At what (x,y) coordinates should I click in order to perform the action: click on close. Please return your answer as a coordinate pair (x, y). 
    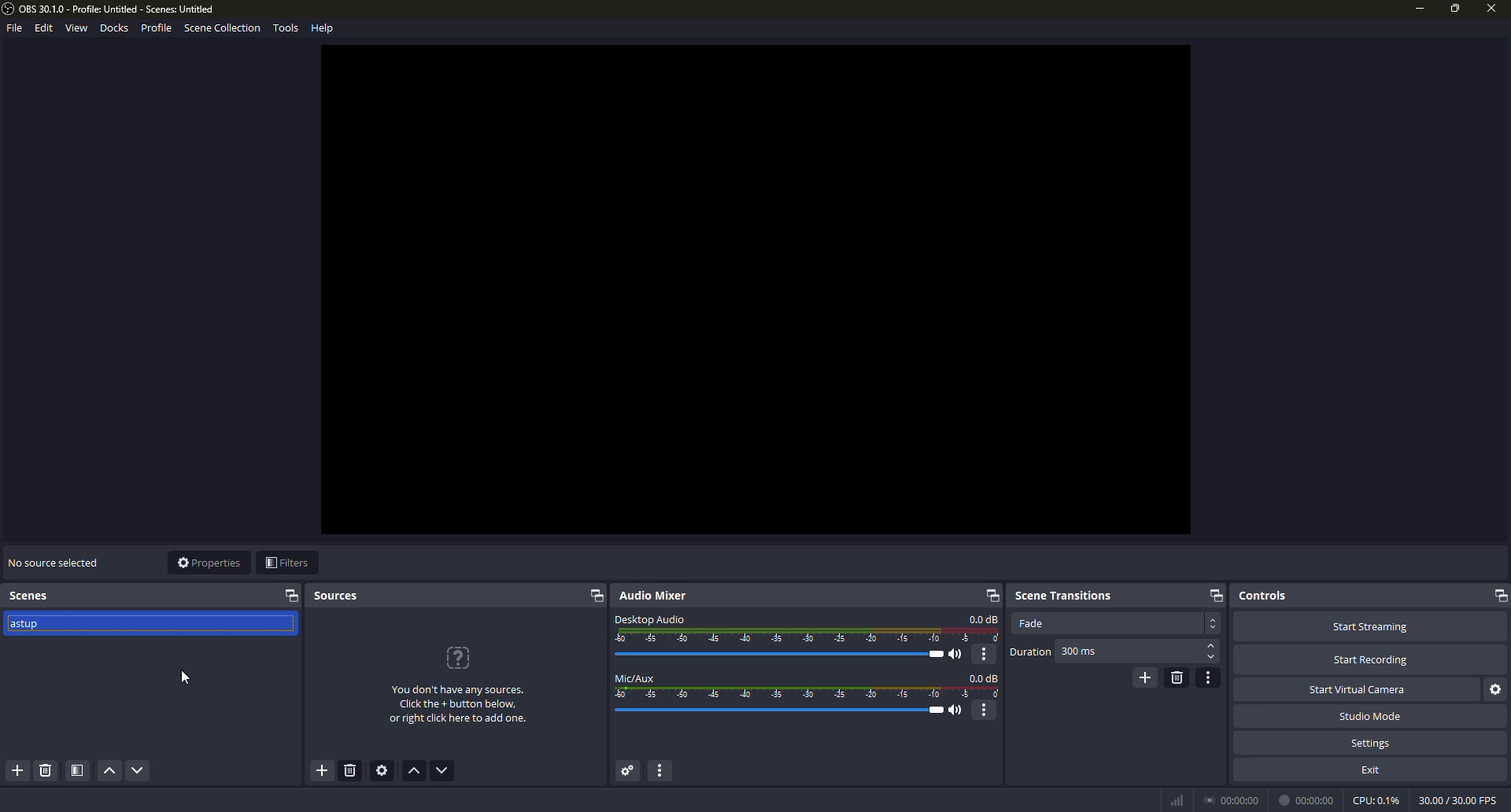
    Looking at the image, I should click on (1489, 10).